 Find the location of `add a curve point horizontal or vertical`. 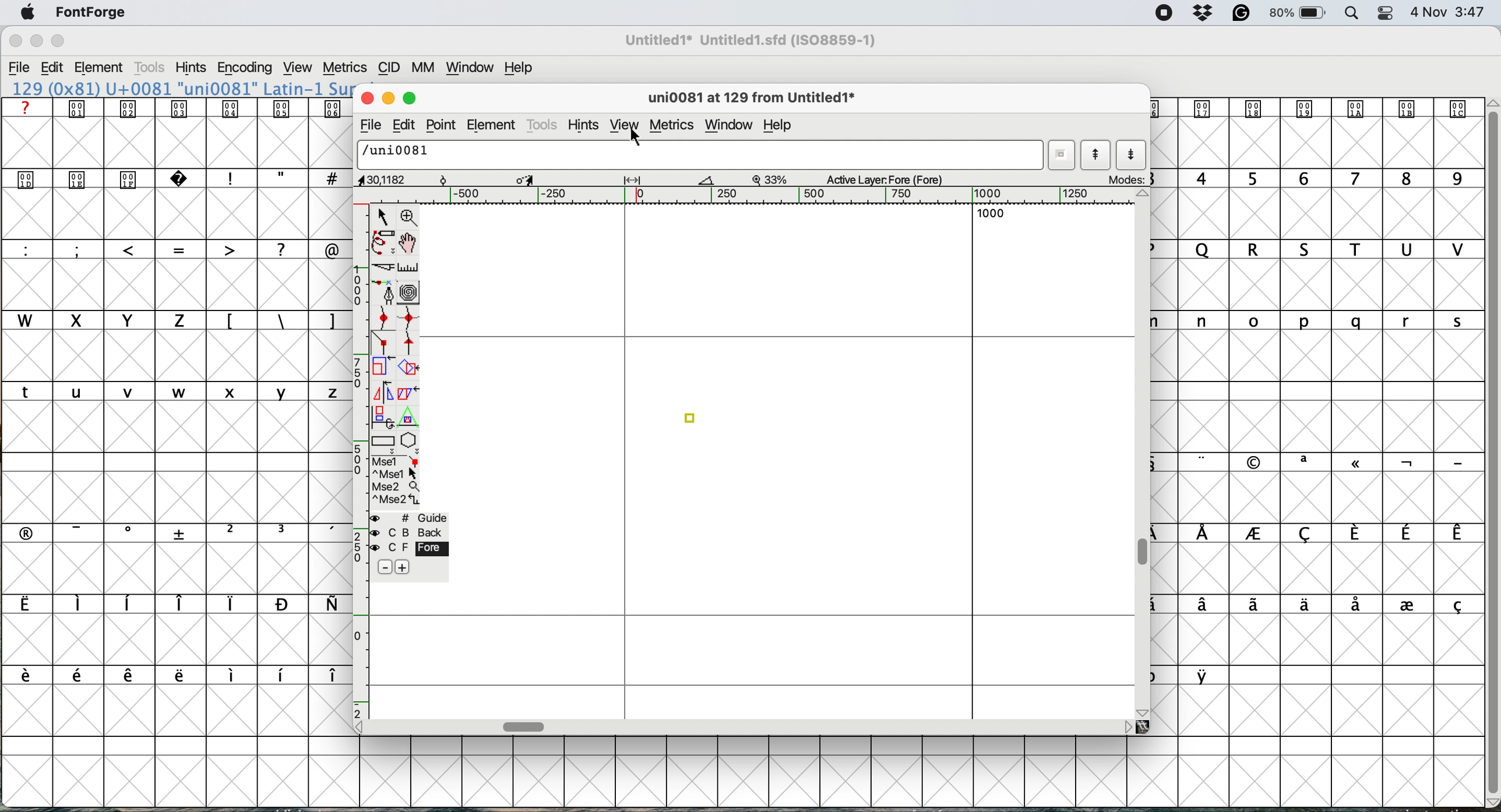

add a curve point horizontal or vertical is located at coordinates (408, 320).